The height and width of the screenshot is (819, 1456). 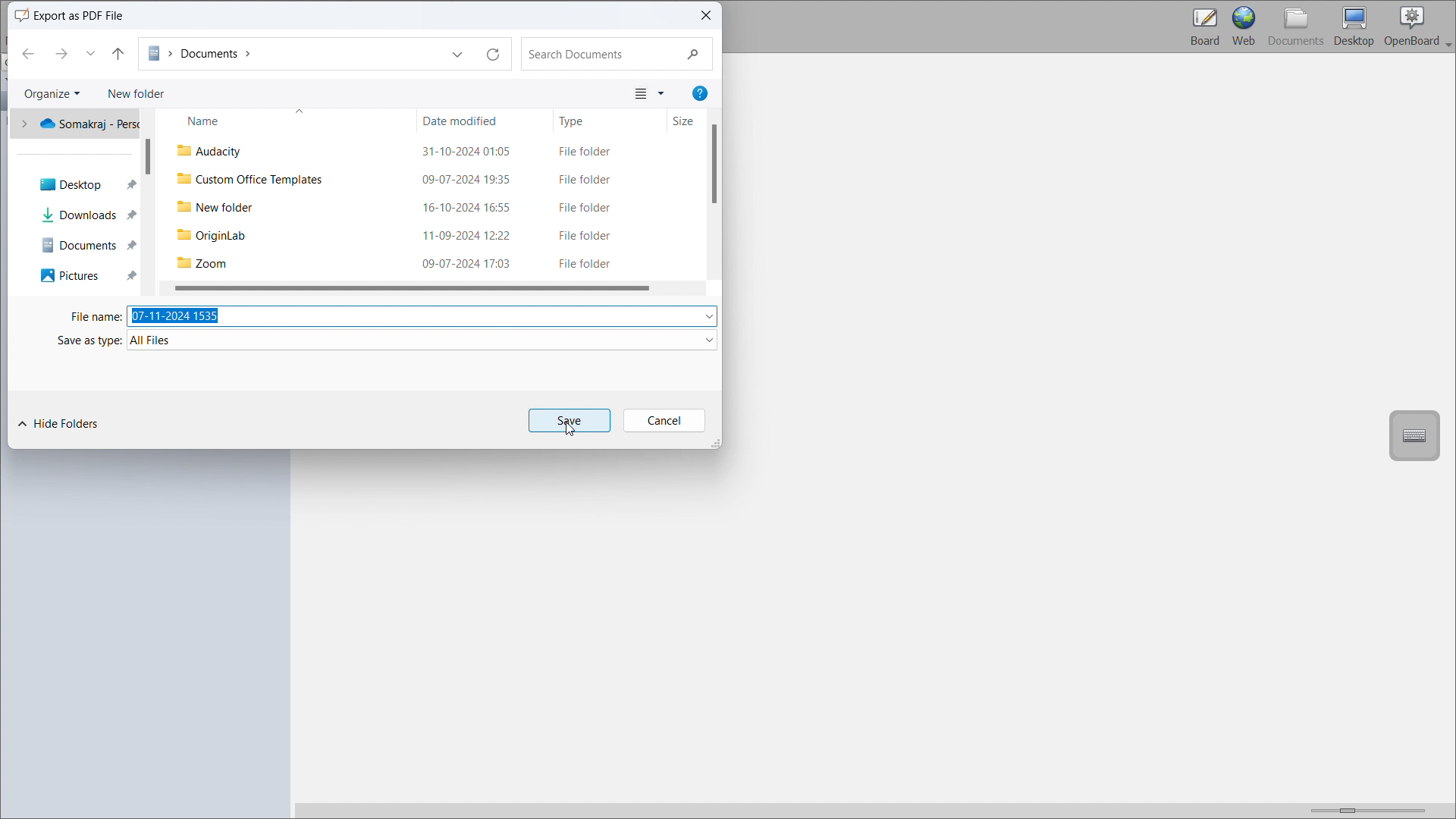 What do you see at coordinates (613, 52) in the screenshot?
I see `search documents` at bounding box center [613, 52].